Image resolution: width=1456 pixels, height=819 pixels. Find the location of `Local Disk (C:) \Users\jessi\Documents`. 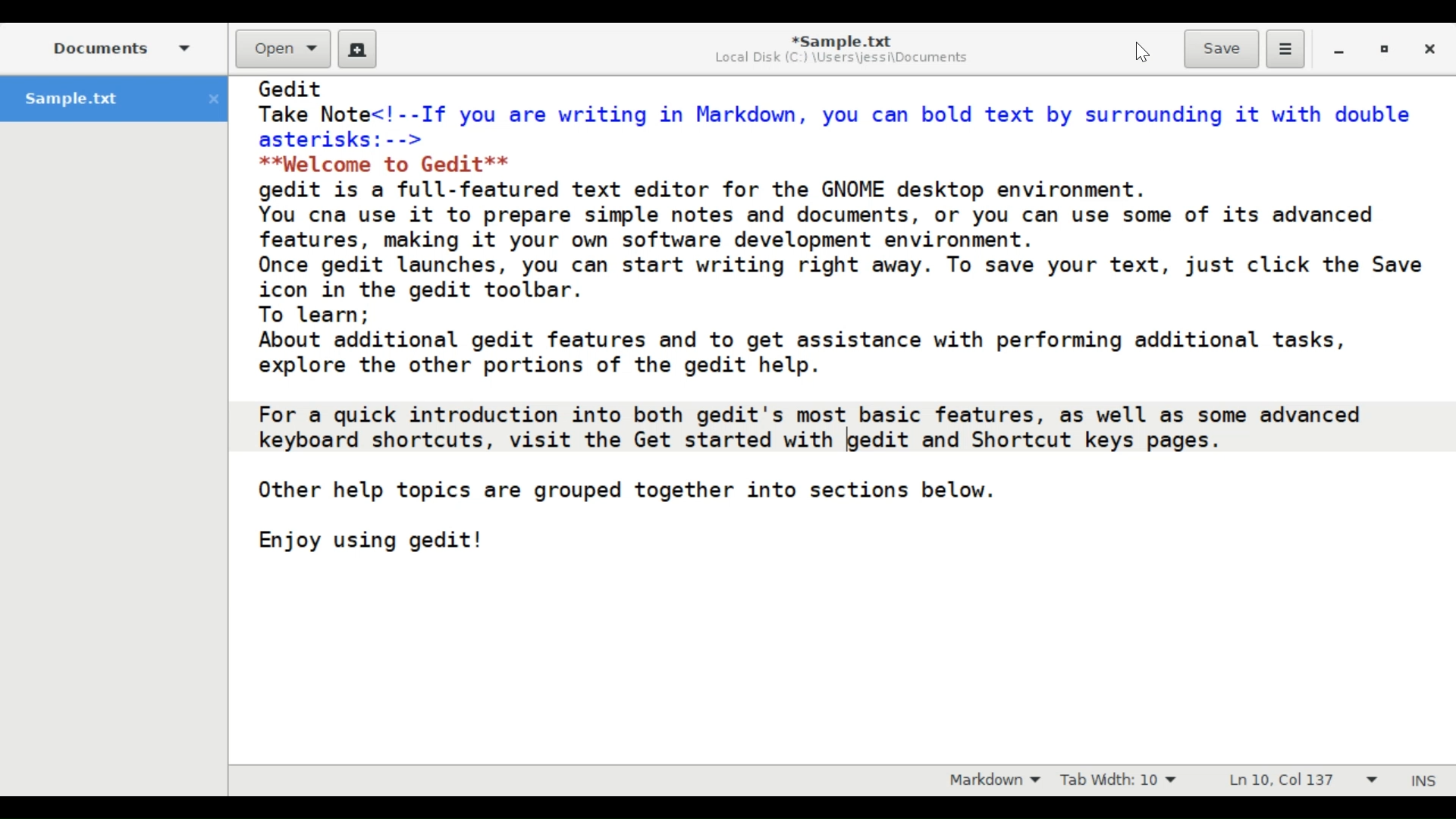

Local Disk (C:) \Users\jessi\Documents is located at coordinates (840, 61).